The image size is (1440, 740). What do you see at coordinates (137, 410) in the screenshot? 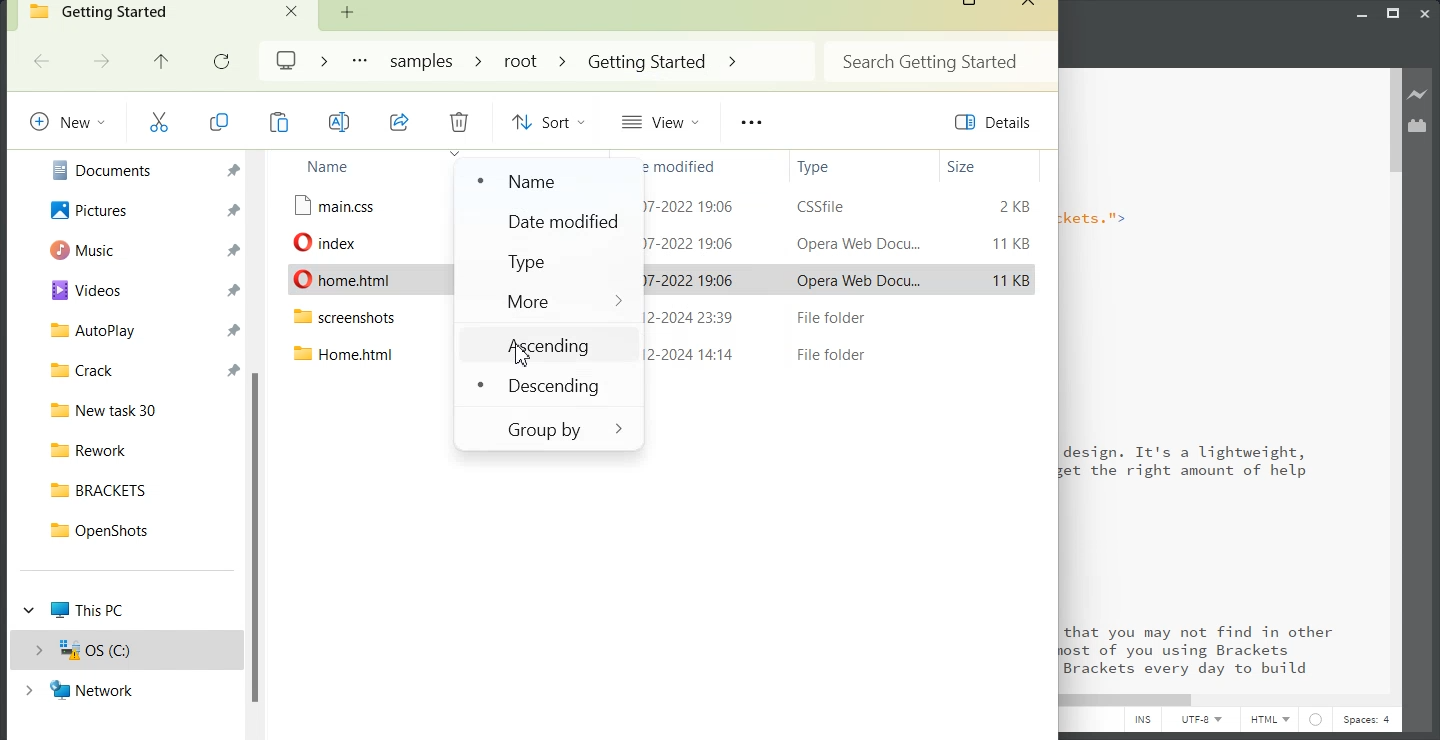
I see `New task 30 File` at bounding box center [137, 410].